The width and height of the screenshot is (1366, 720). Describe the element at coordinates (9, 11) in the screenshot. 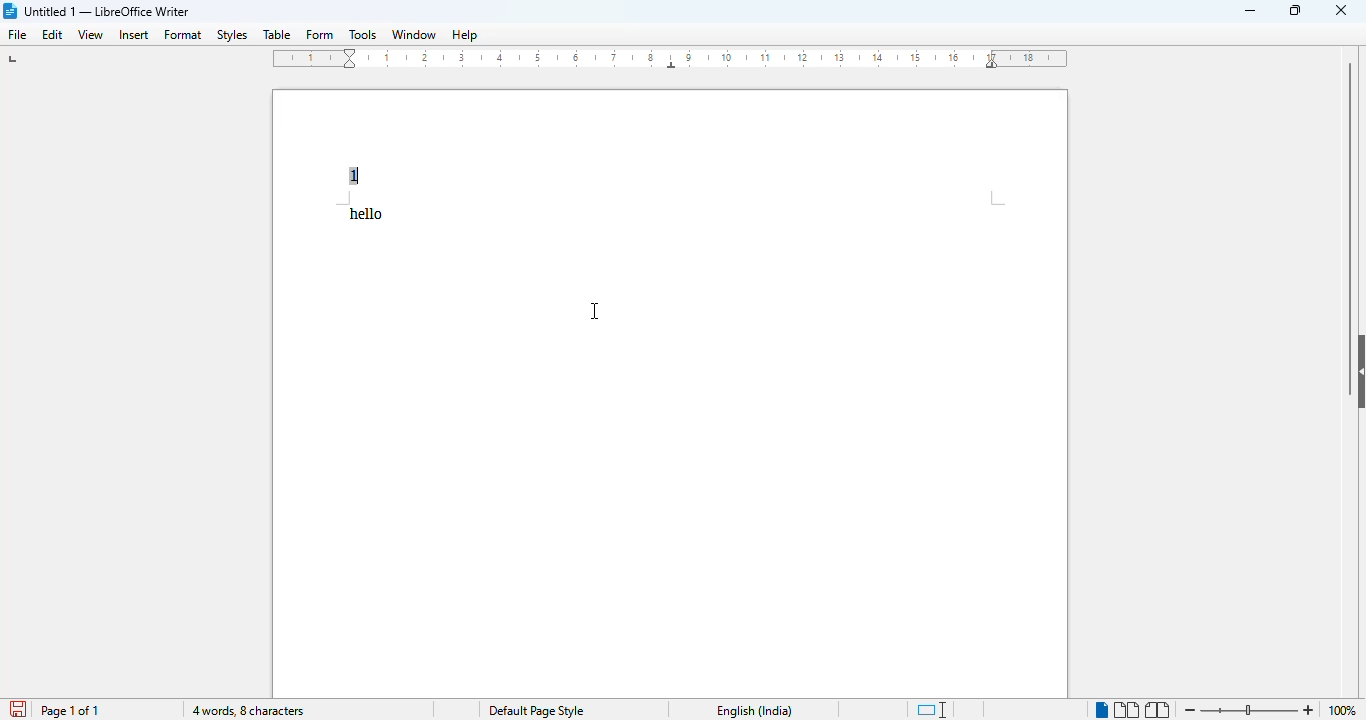

I see `logo` at that location.